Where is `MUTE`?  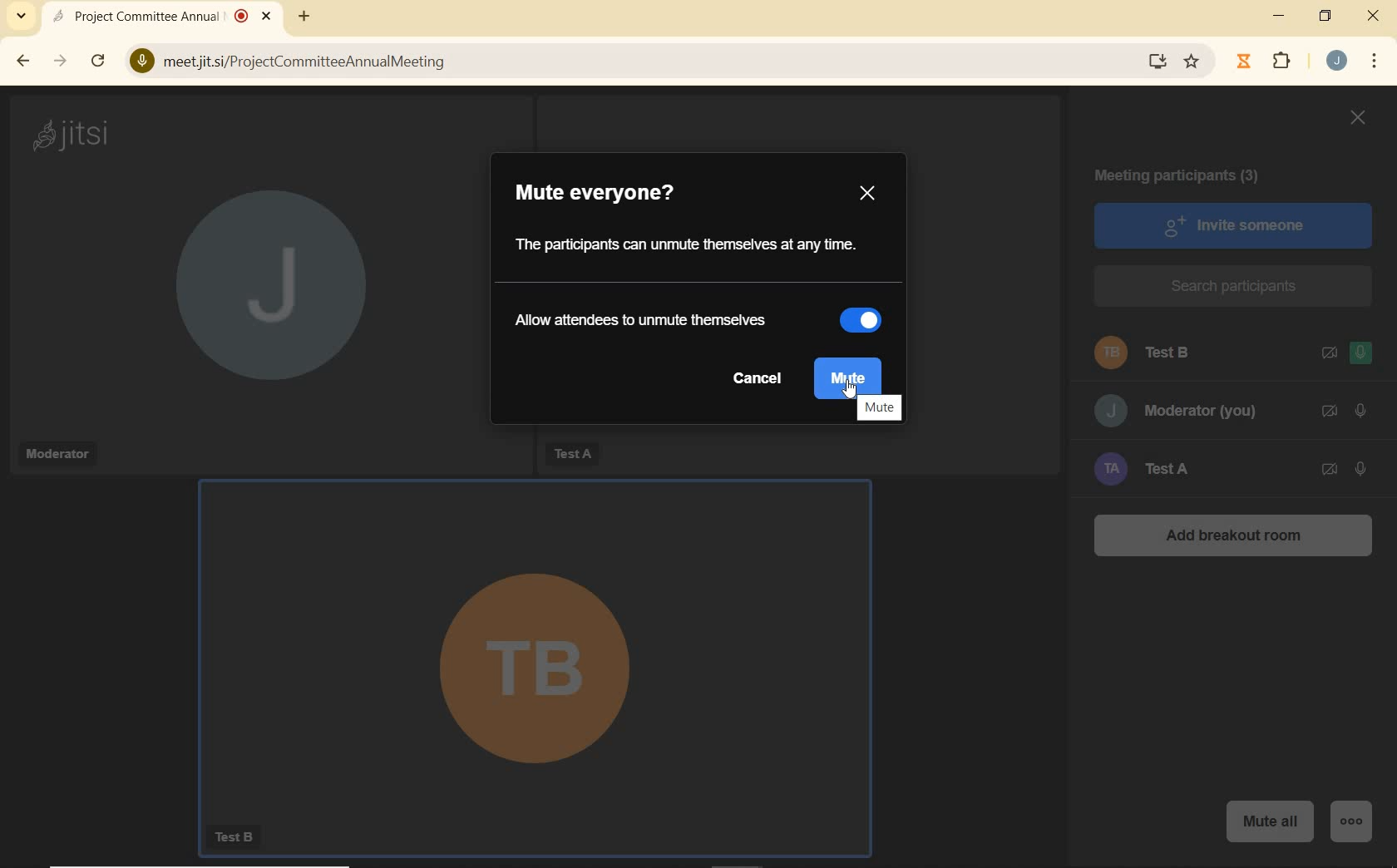
MUTE is located at coordinates (852, 374).